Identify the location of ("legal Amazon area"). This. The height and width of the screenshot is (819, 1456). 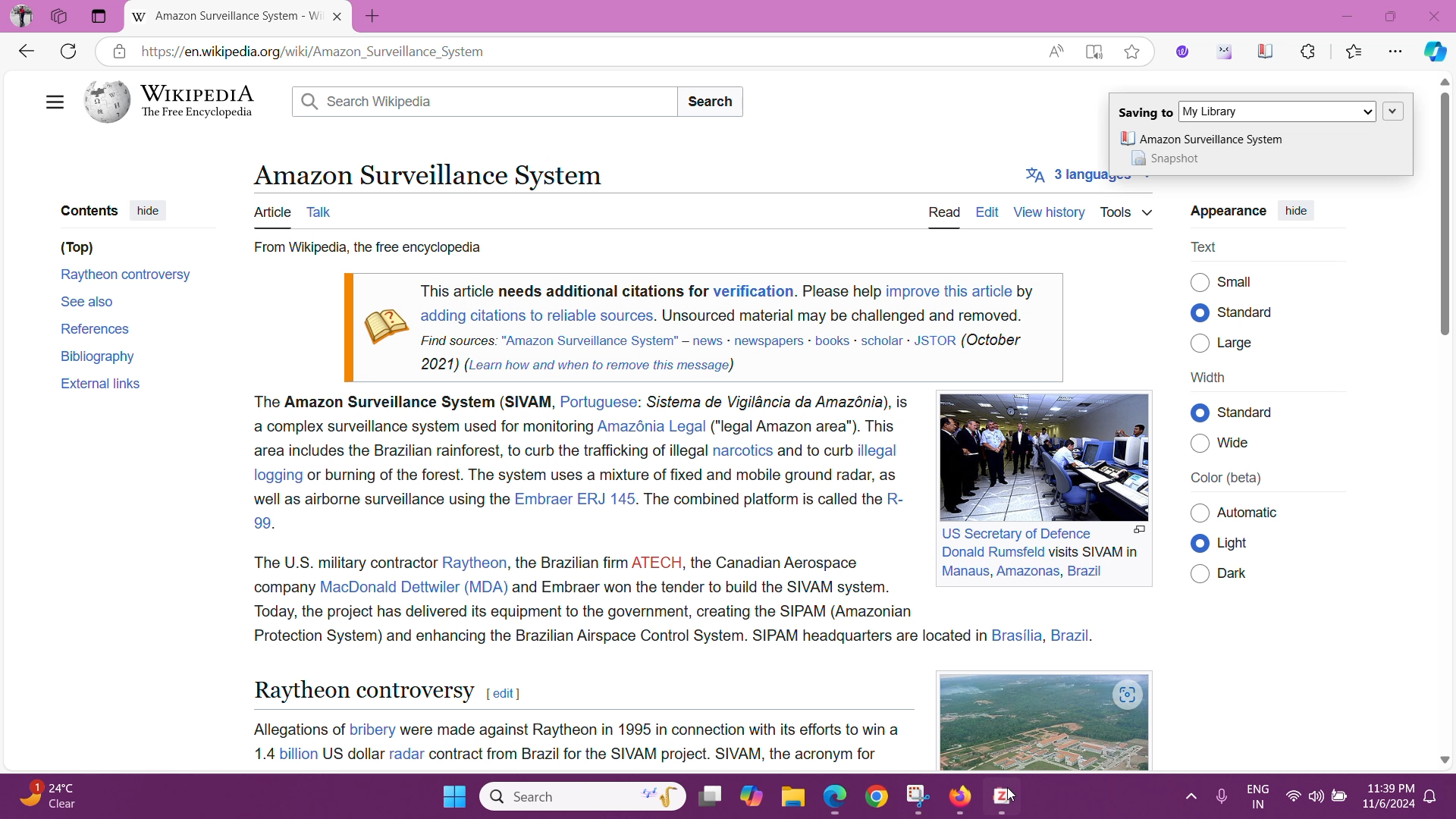
(806, 425).